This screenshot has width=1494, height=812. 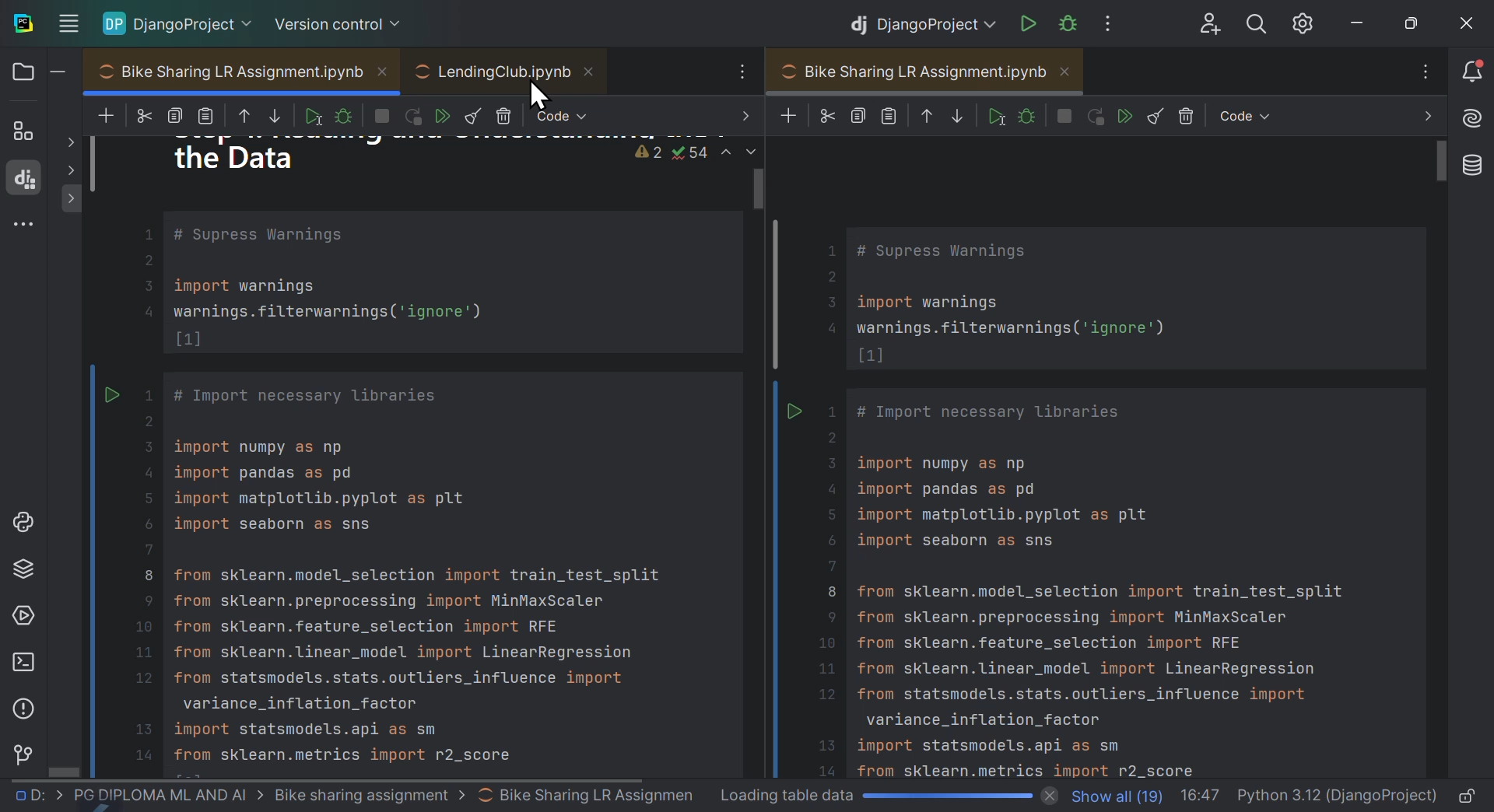 I want to click on Duplicate Bike sharing LR assignment, so click(x=1094, y=457).